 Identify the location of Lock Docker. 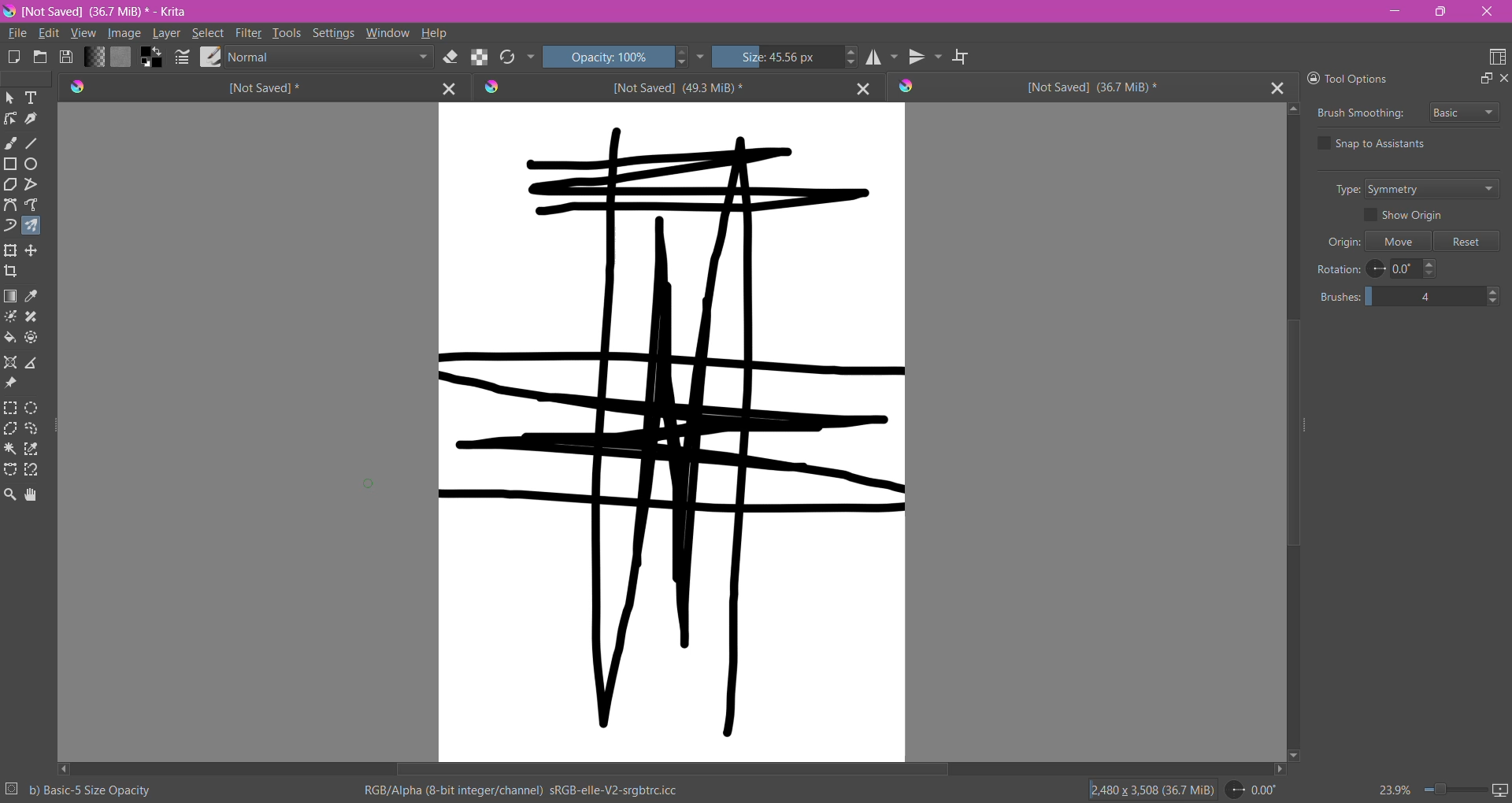
(1309, 78).